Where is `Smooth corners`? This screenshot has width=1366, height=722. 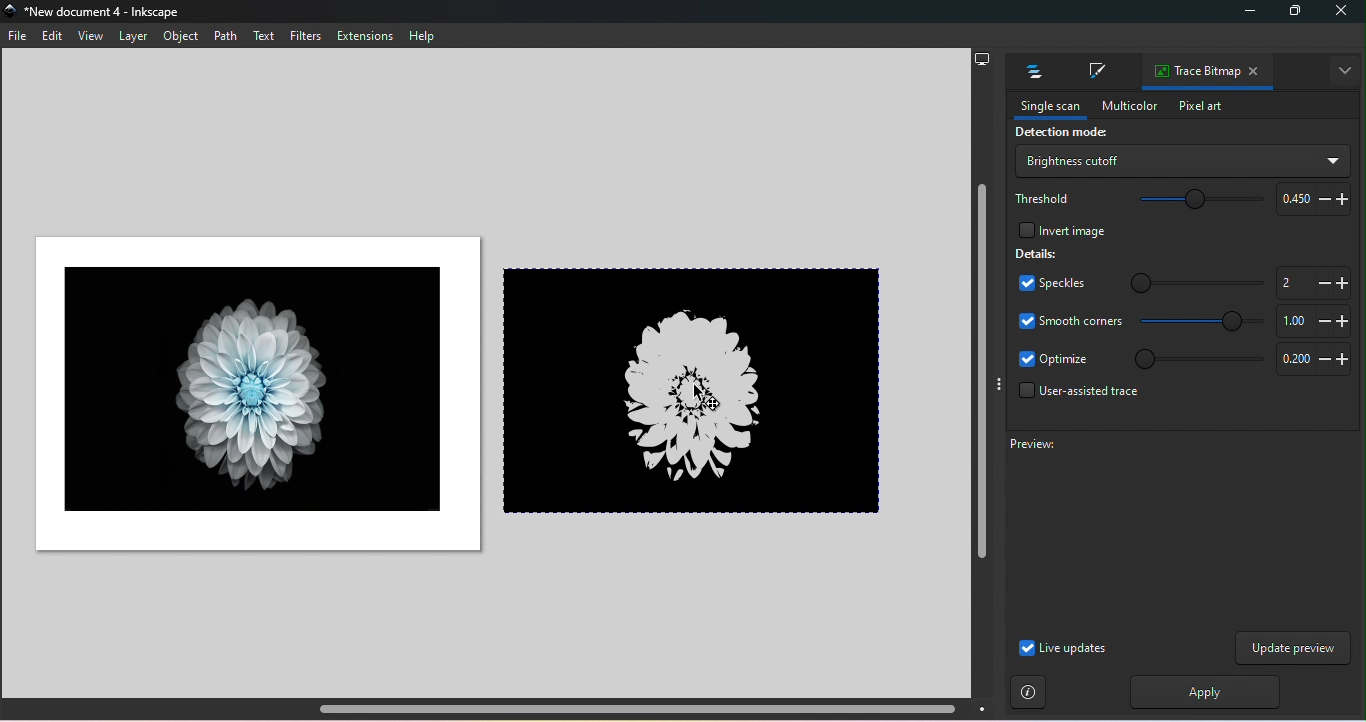
Smooth corners is located at coordinates (1070, 320).